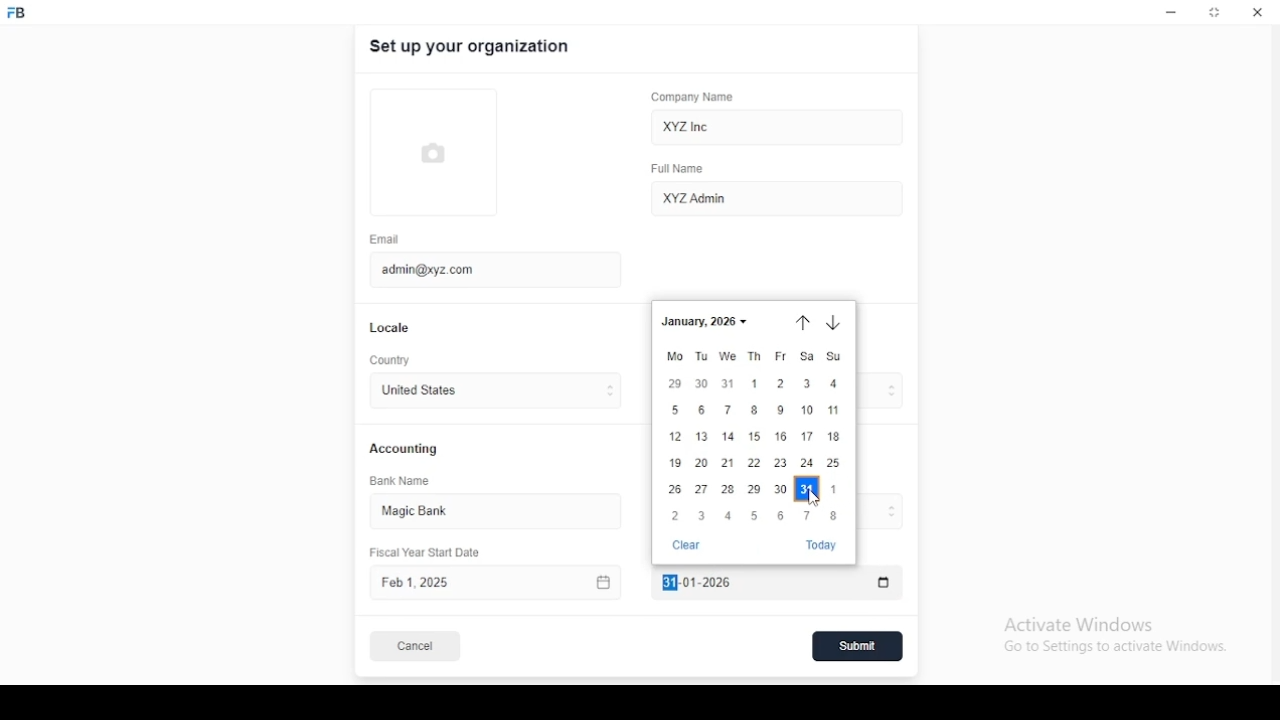  I want to click on logo tumbnail, so click(448, 153).